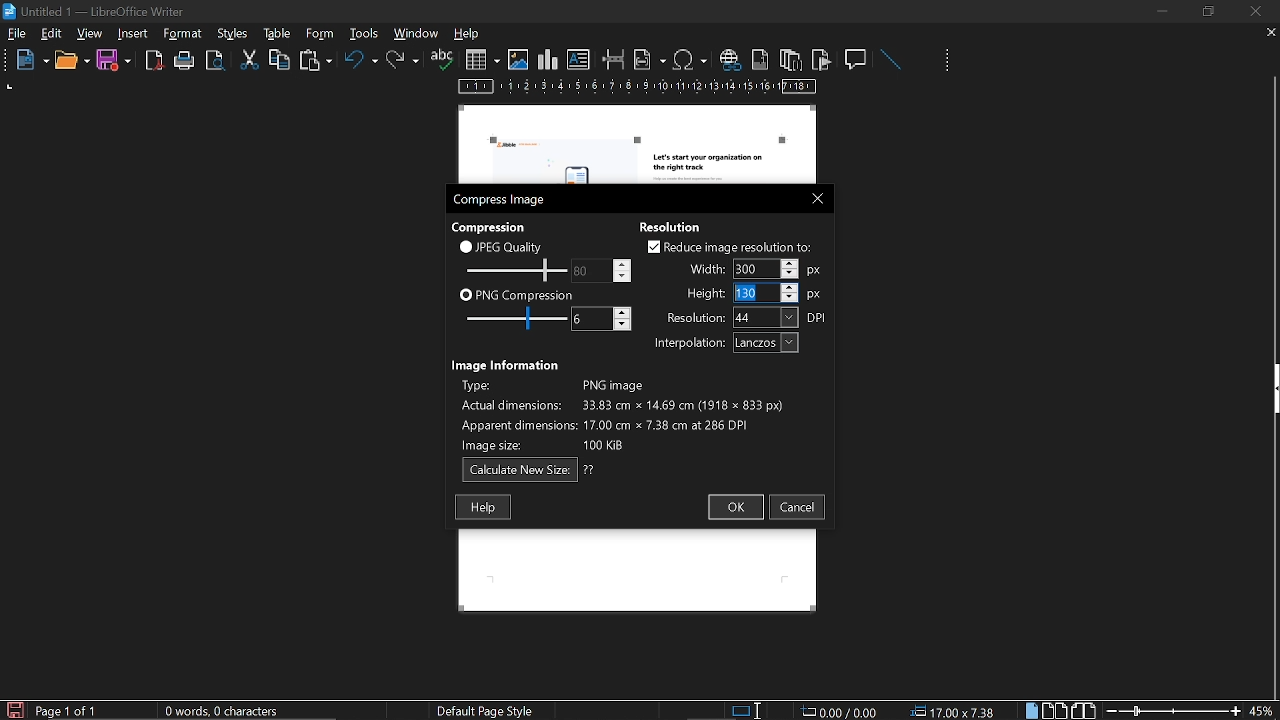 The height and width of the screenshot is (720, 1280). Describe the element at coordinates (511, 318) in the screenshot. I see `png compression scale` at that location.